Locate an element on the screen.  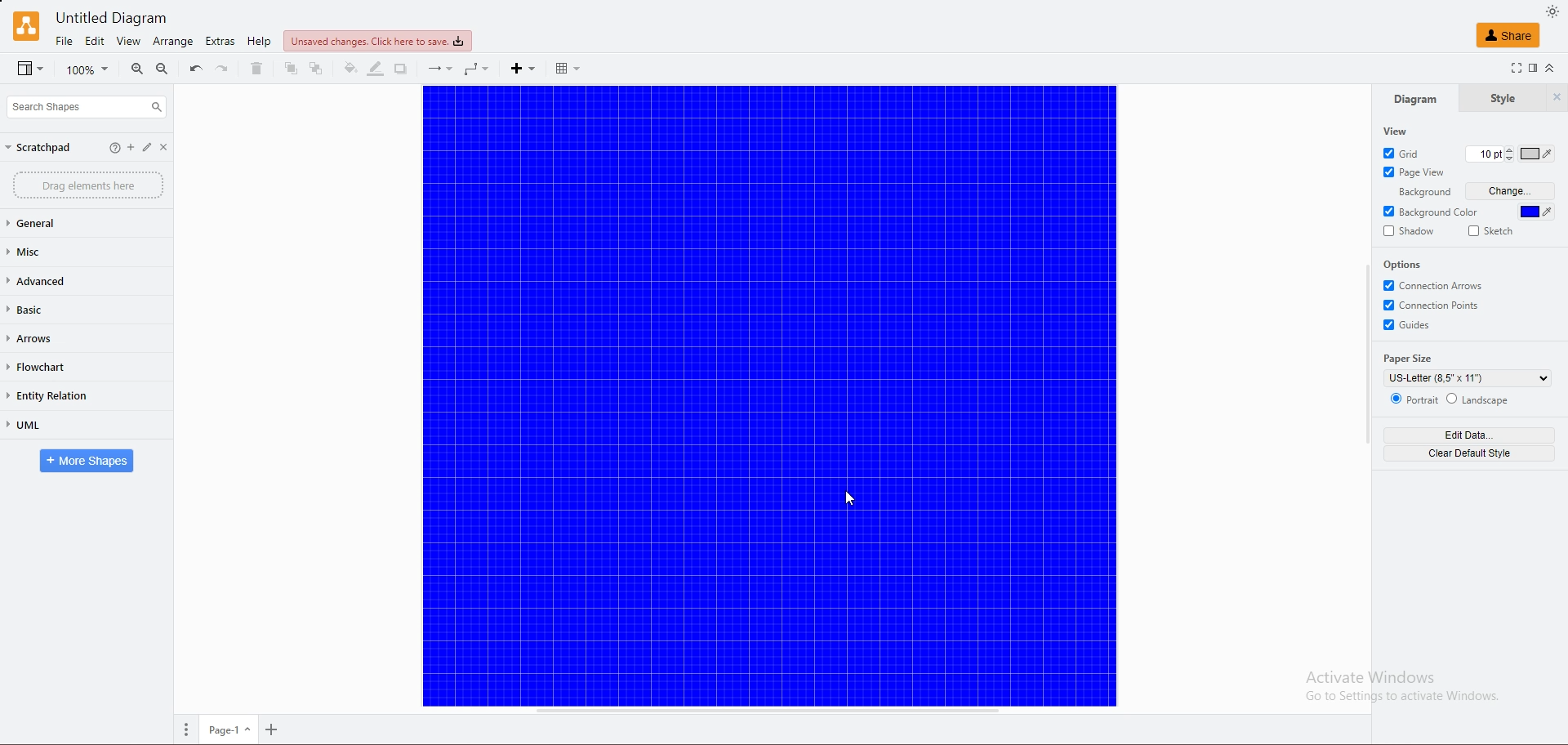
entity relation is located at coordinates (65, 395).